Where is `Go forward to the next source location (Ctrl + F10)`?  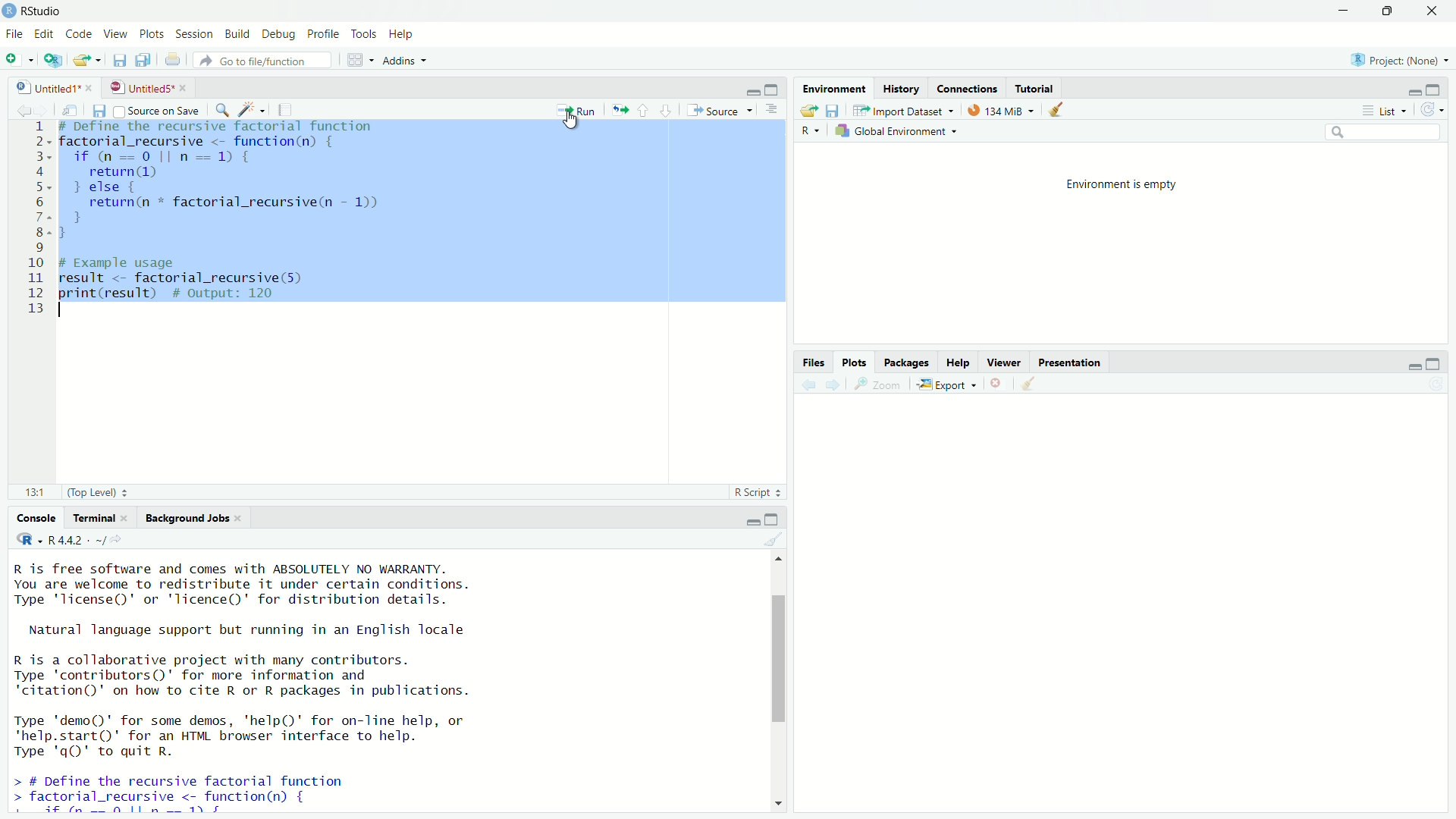 Go forward to the next source location (Ctrl + F10) is located at coordinates (47, 109).